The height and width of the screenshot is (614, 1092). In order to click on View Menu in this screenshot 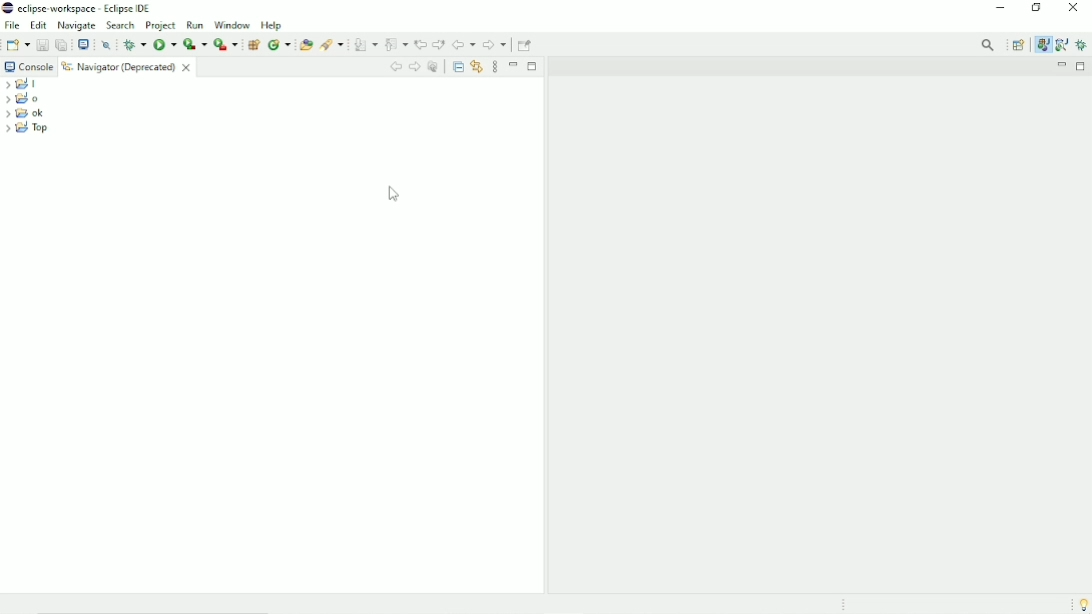, I will do `click(495, 67)`.